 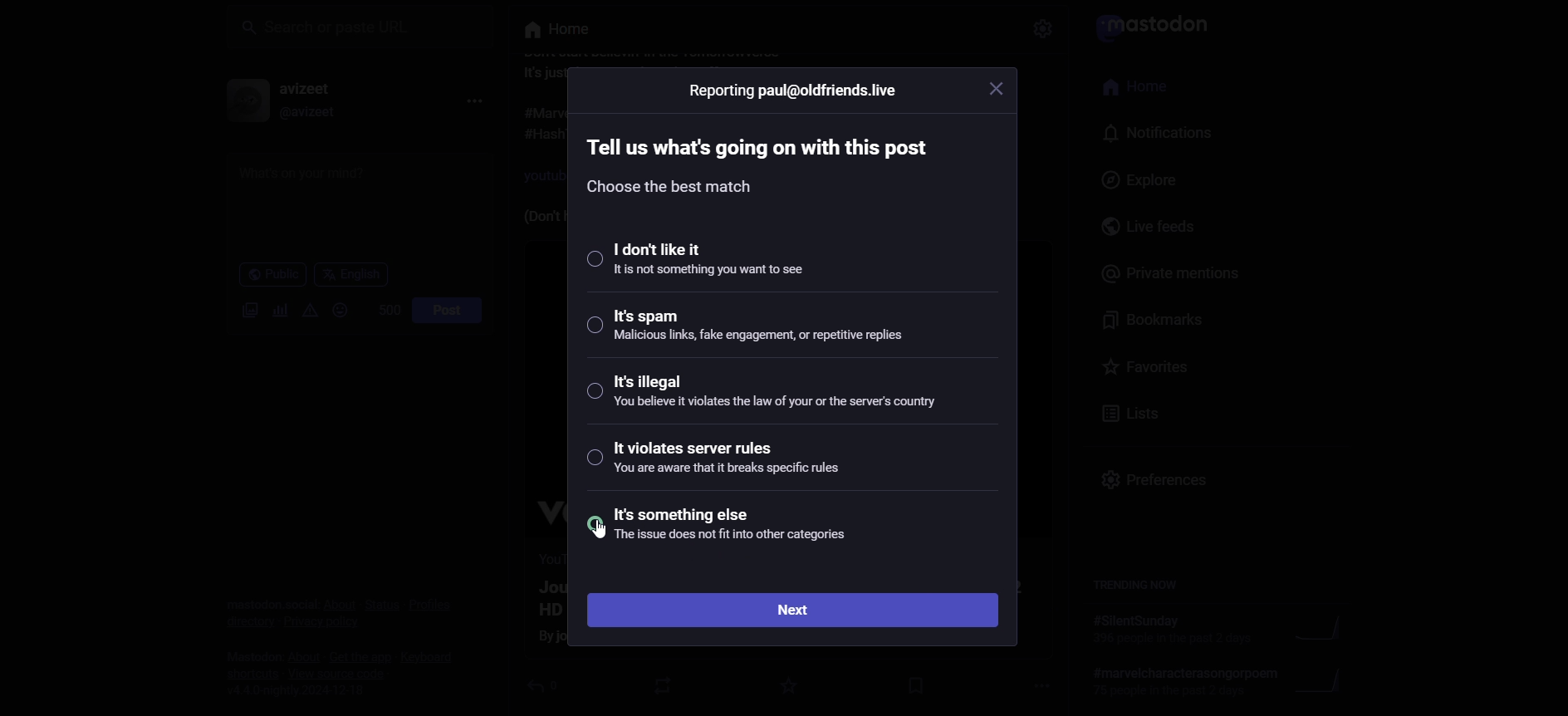 What do you see at coordinates (796, 607) in the screenshot?
I see `next` at bounding box center [796, 607].